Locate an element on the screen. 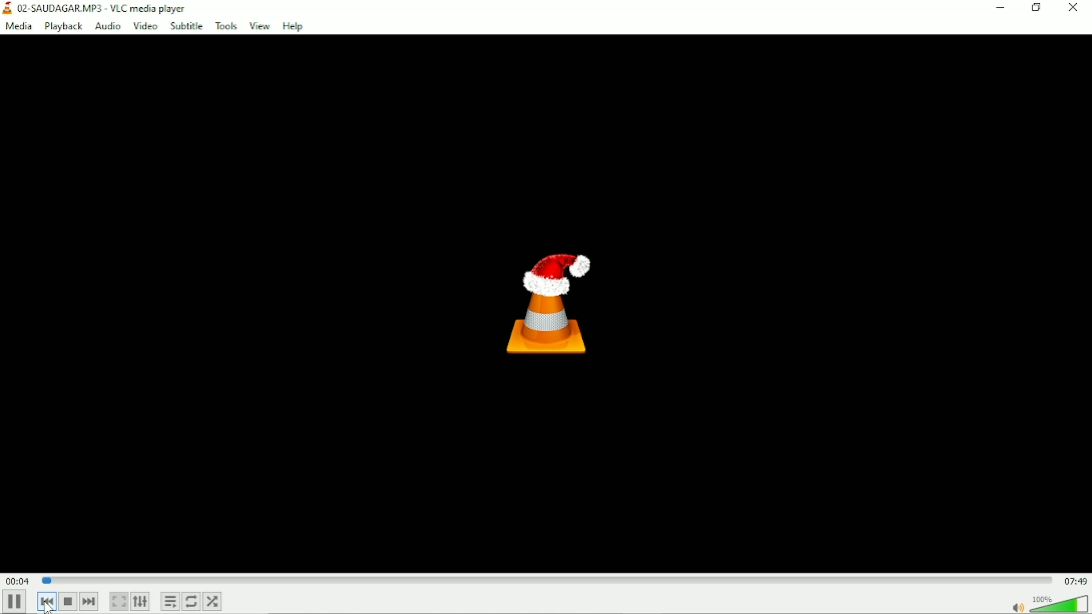 Image resolution: width=1092 pixels, height=614 pixels. View is located at coordinates (260, 27).